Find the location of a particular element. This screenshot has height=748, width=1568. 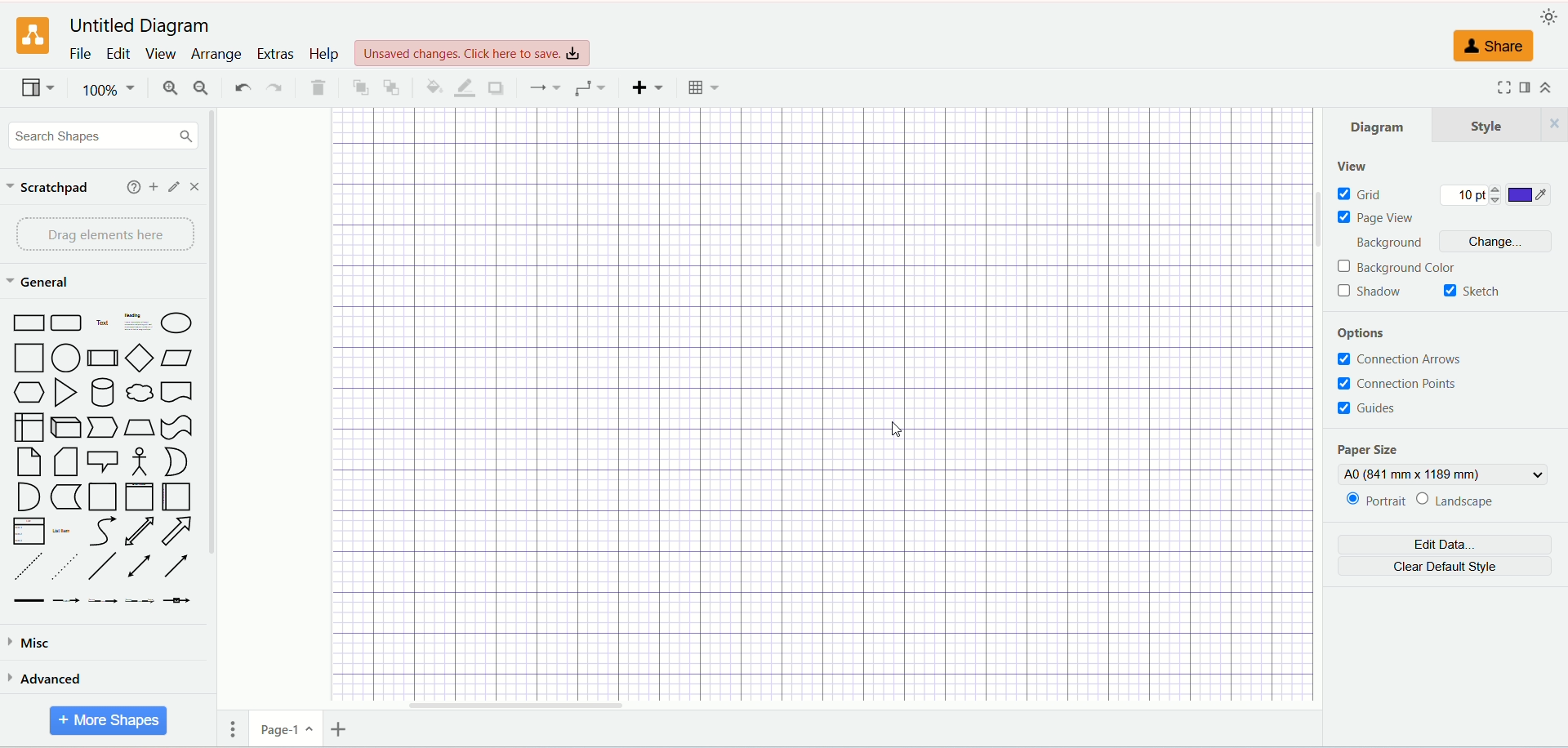

collapse/expand is located at coordinates (1552, 89).